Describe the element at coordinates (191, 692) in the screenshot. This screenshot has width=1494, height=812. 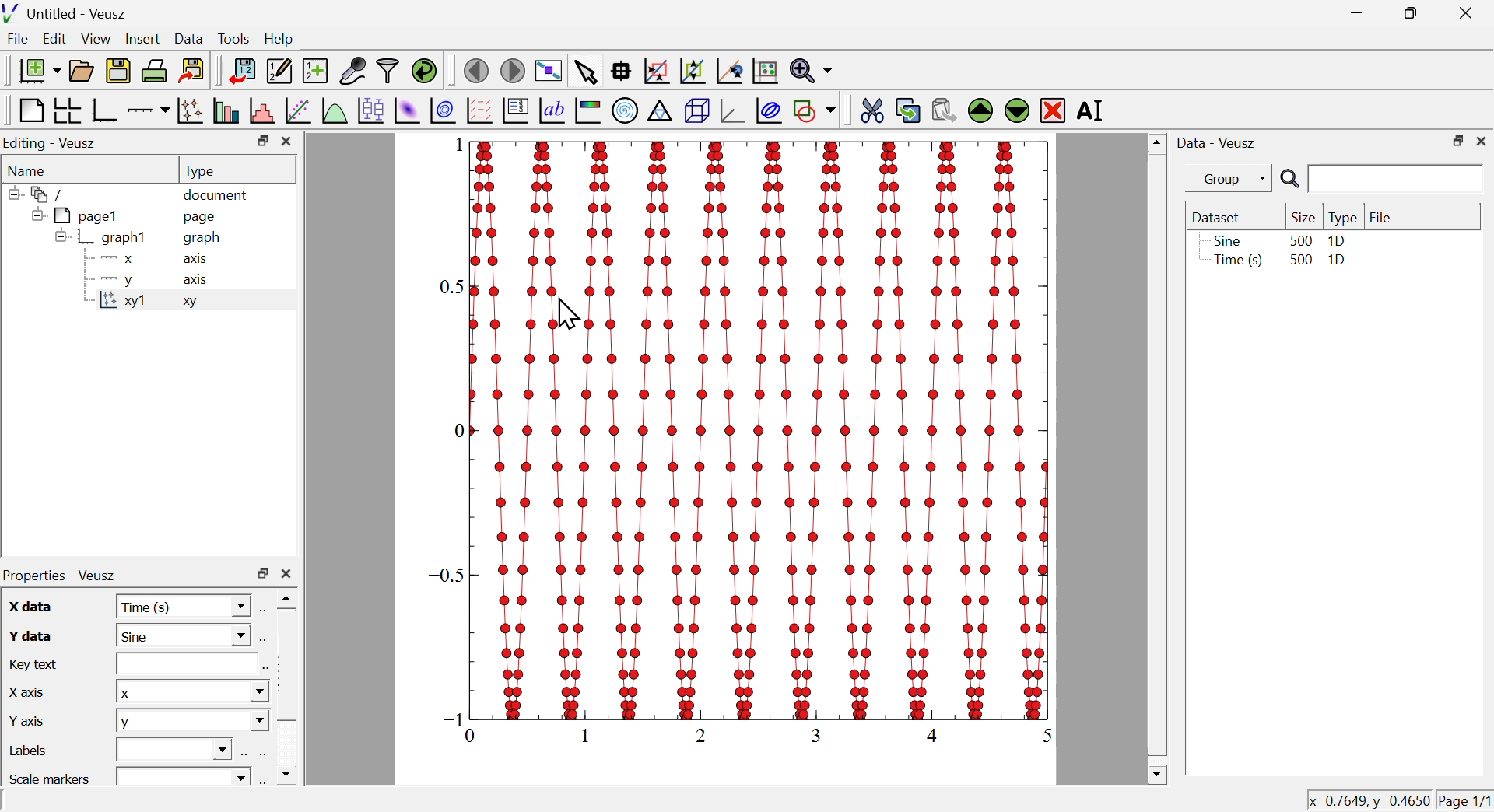
I see `x` at that location.